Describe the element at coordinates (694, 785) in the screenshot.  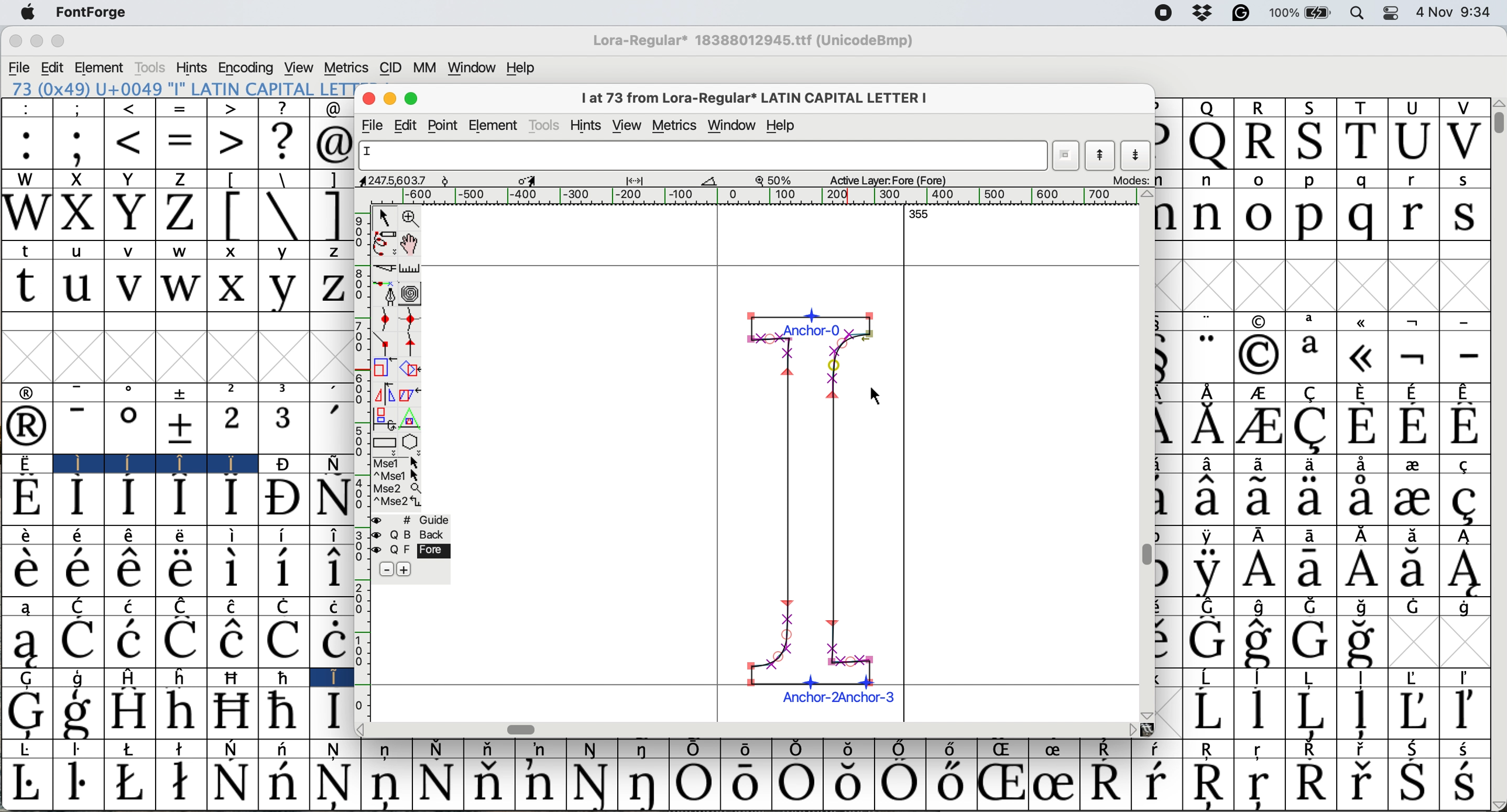
I see `Symbol` at that location.